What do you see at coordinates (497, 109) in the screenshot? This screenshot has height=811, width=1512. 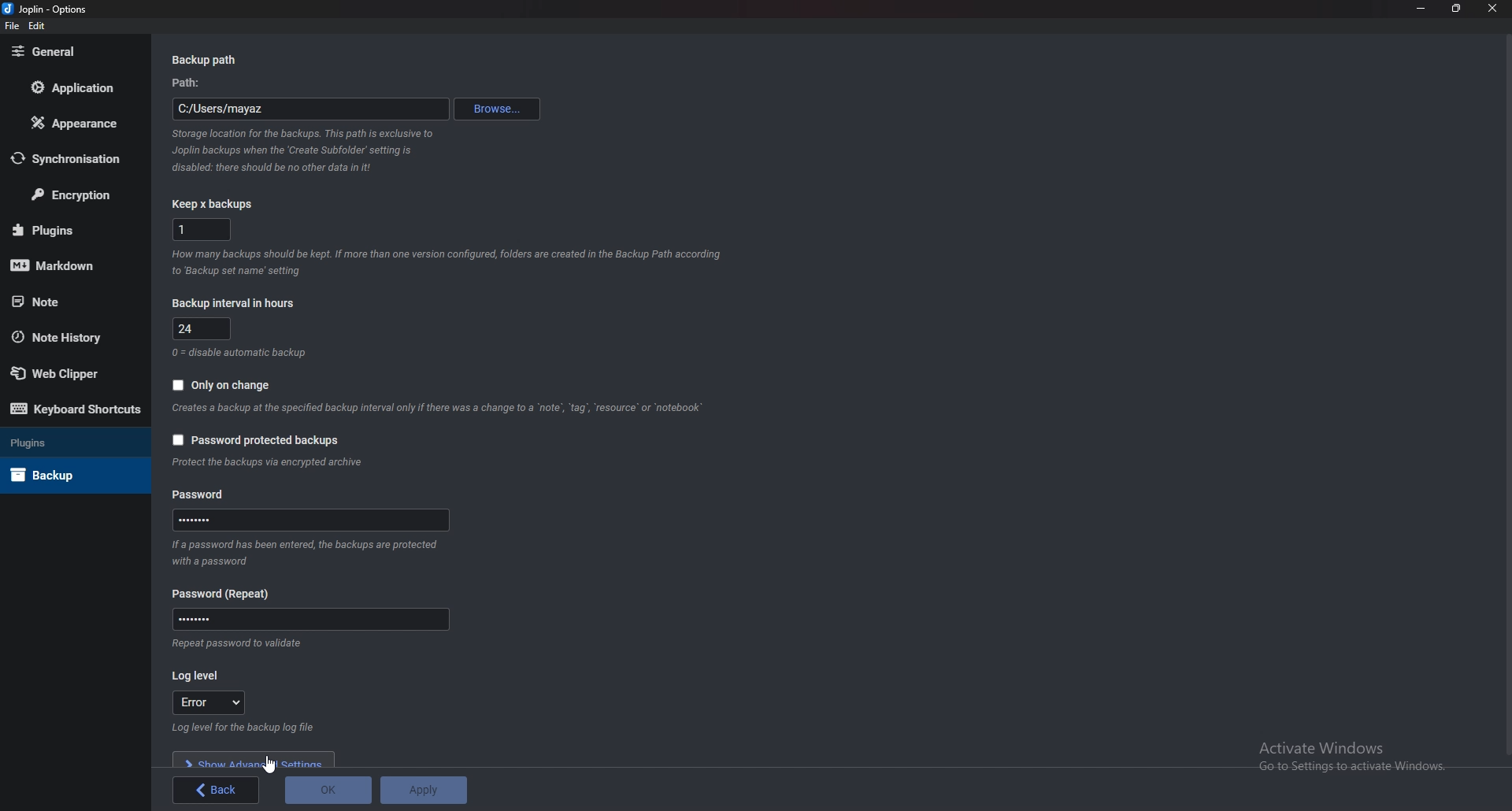 I see `Browse` at bounding box center [497, 109].